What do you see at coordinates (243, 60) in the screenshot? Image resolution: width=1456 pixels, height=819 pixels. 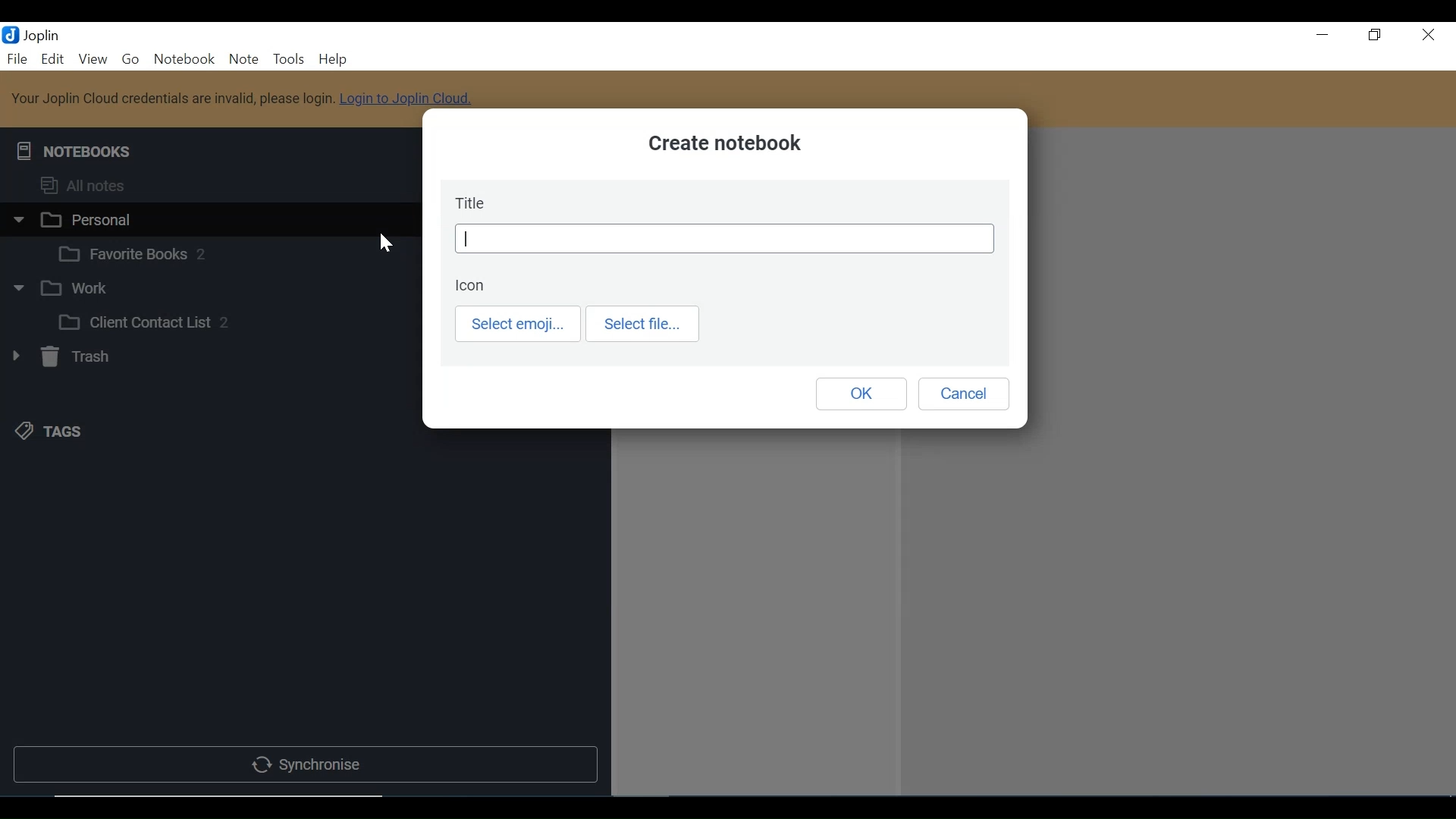 I see `Note` at bounding box center [243, 60].